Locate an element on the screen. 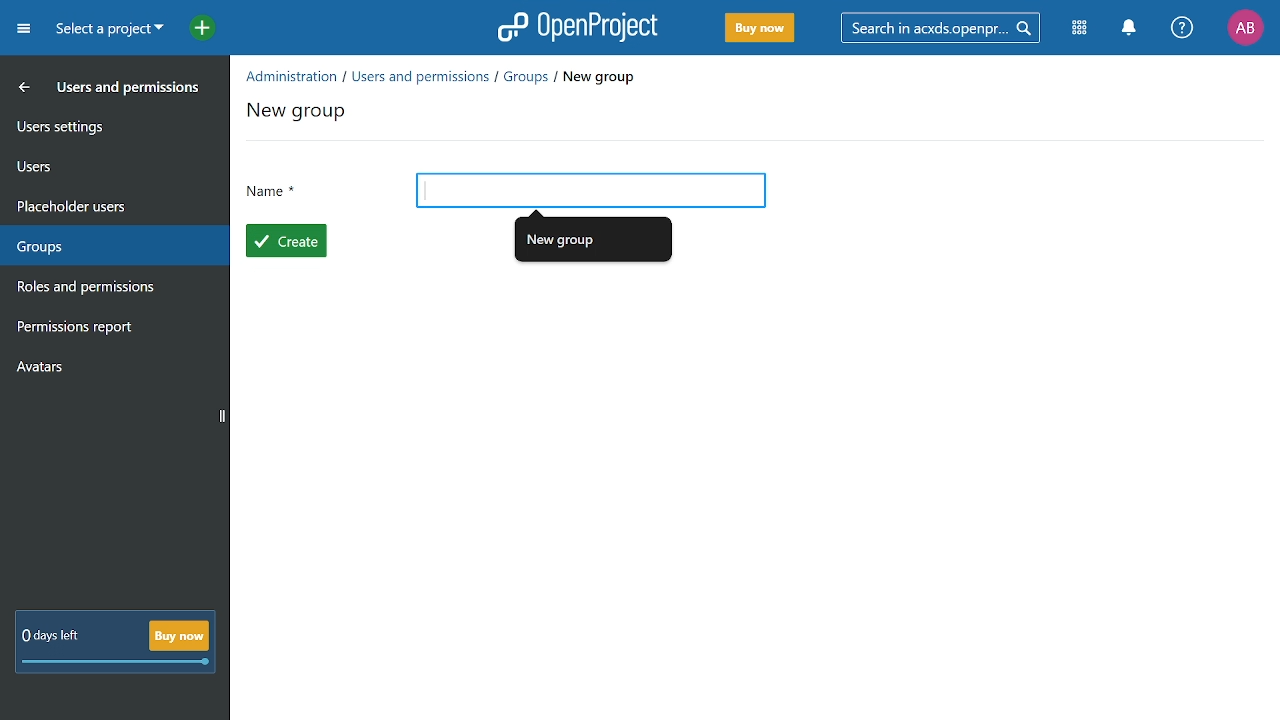 This screenshot has height=720, width=1280. Modules is located at coordinates (1081, 27).